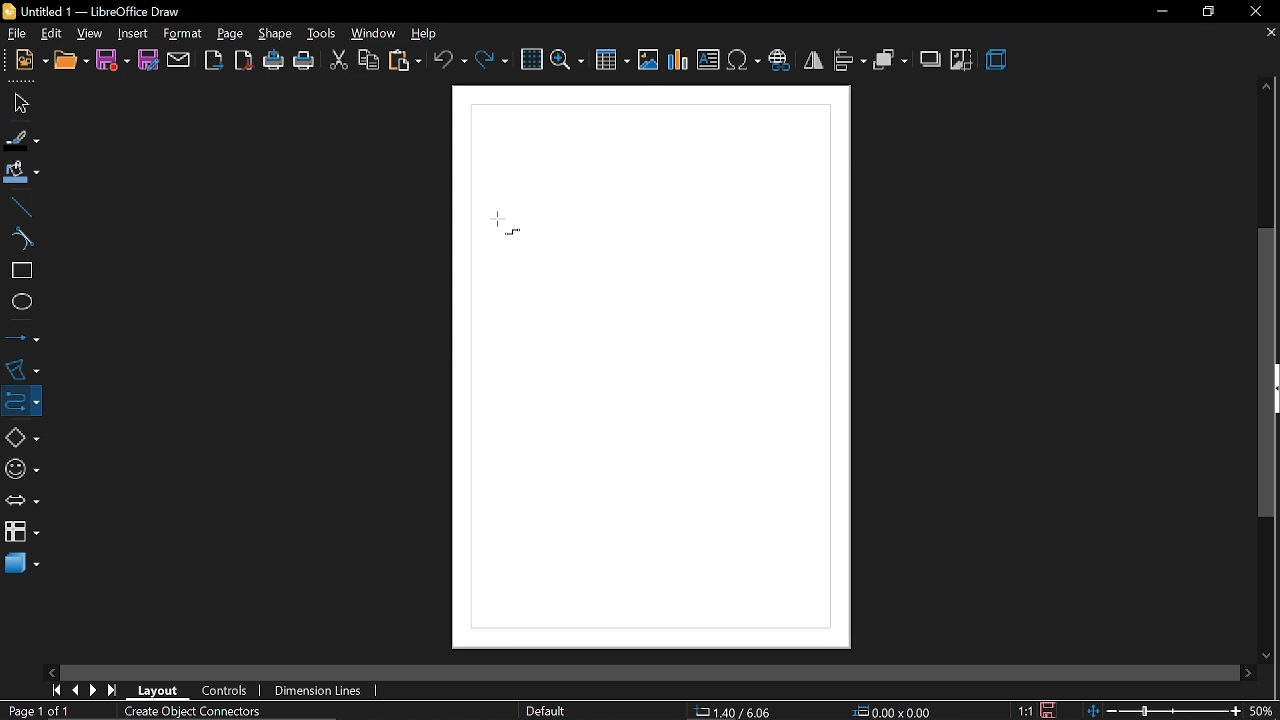 This screenshot has height=720, width=1280. What do you see at coordinates (159, 691) in the screenshot?
I see `layout` at bounding box center [159, 691].